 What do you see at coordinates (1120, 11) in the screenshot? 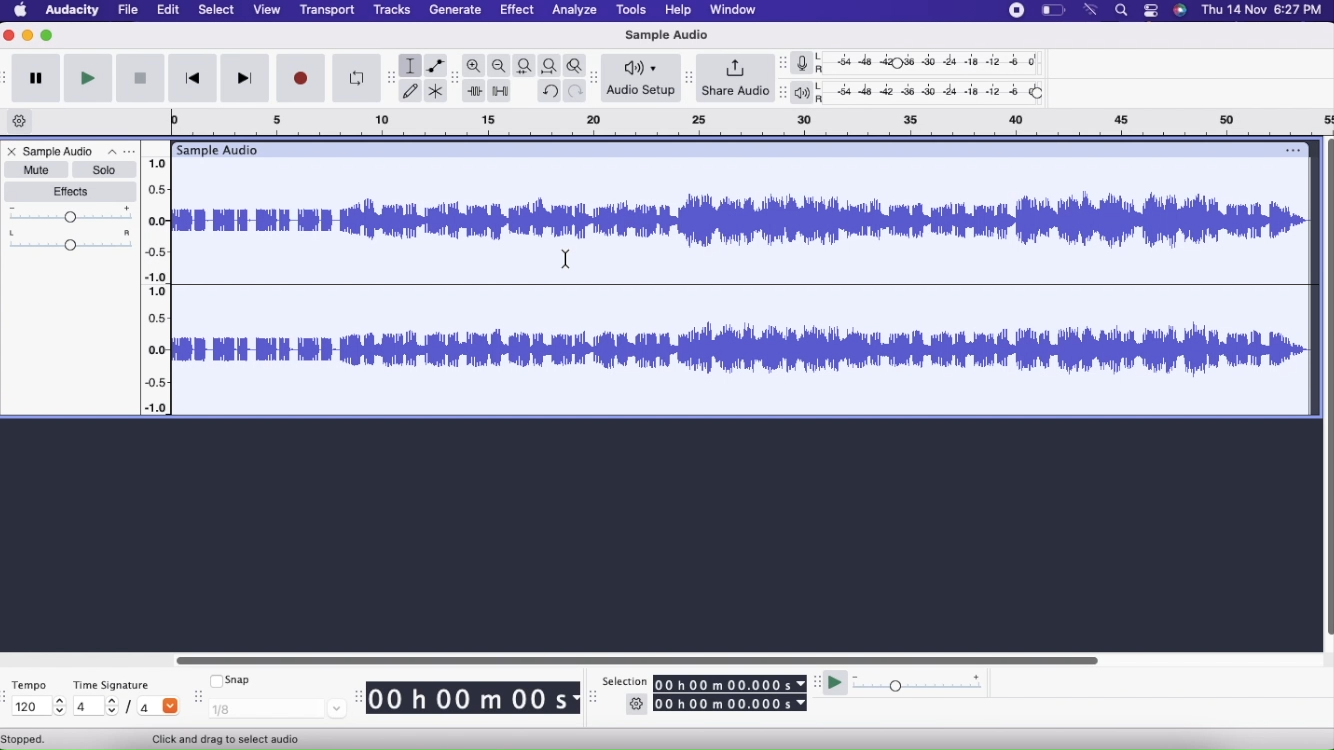
I see `search` at bounding box center [1120, 11].